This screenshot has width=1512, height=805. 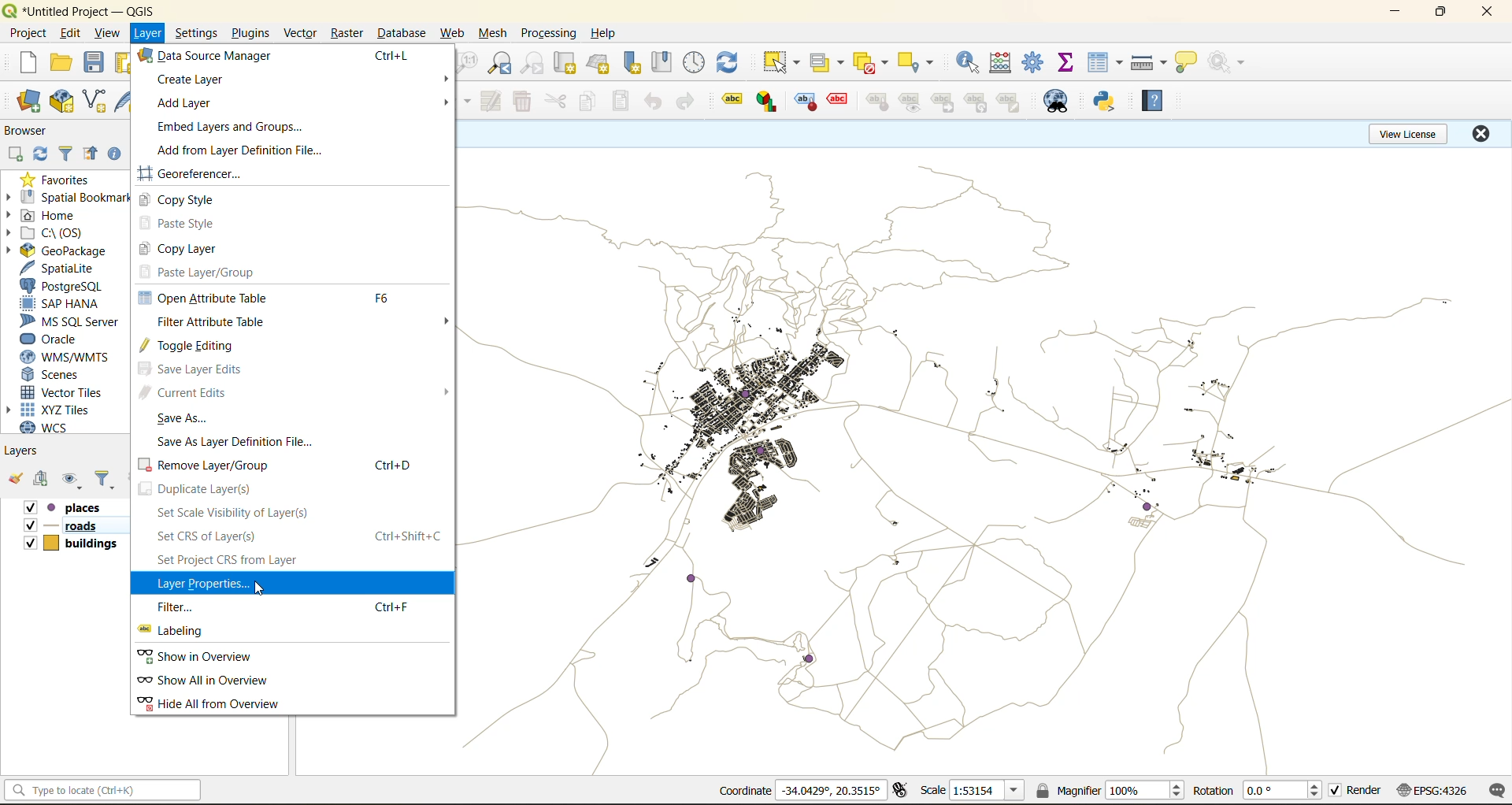 I want to click on zoom last, so click(x=499, y=65).